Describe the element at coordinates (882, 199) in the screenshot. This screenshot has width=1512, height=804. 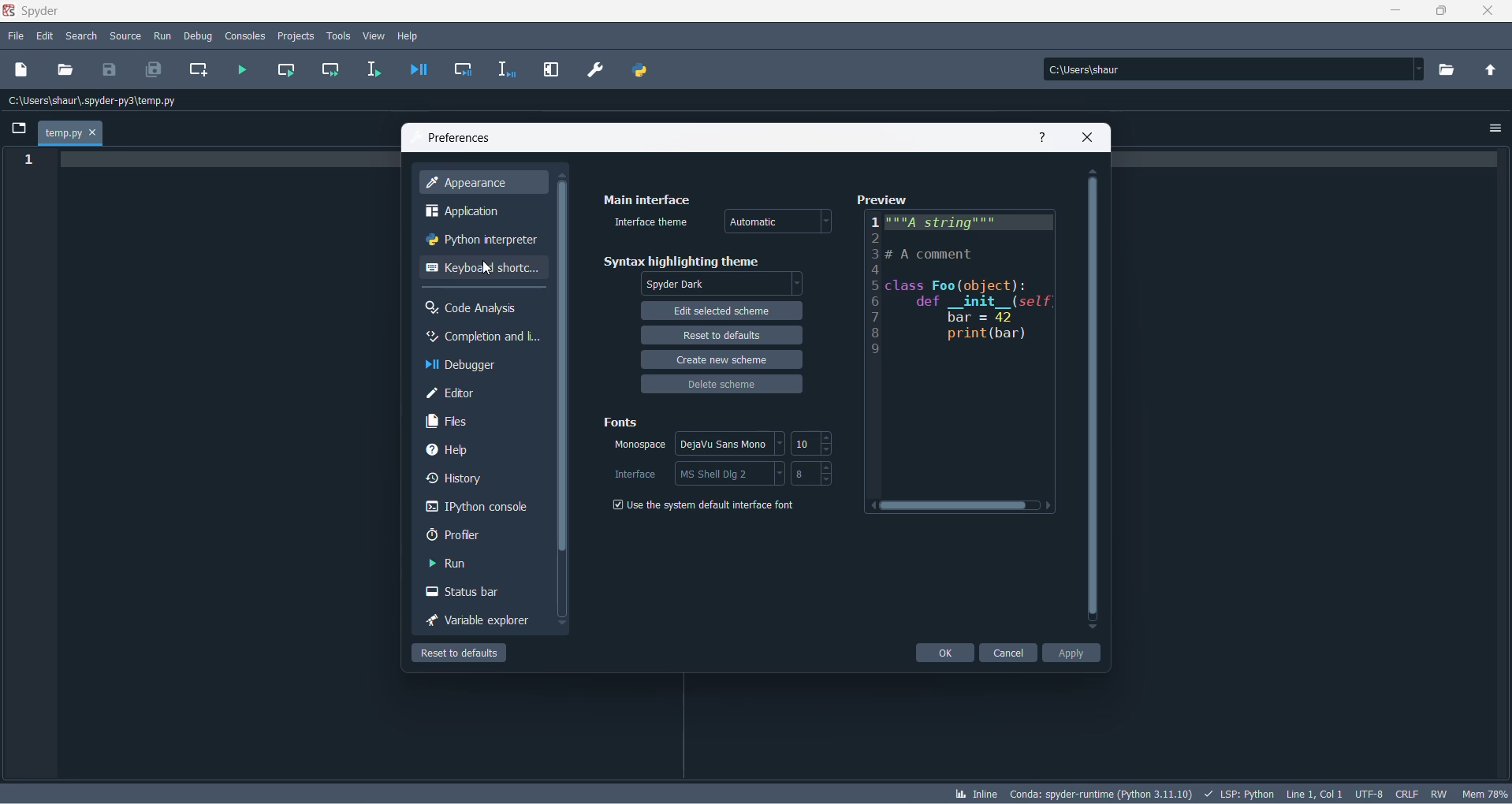
I see `preview text` at that location.